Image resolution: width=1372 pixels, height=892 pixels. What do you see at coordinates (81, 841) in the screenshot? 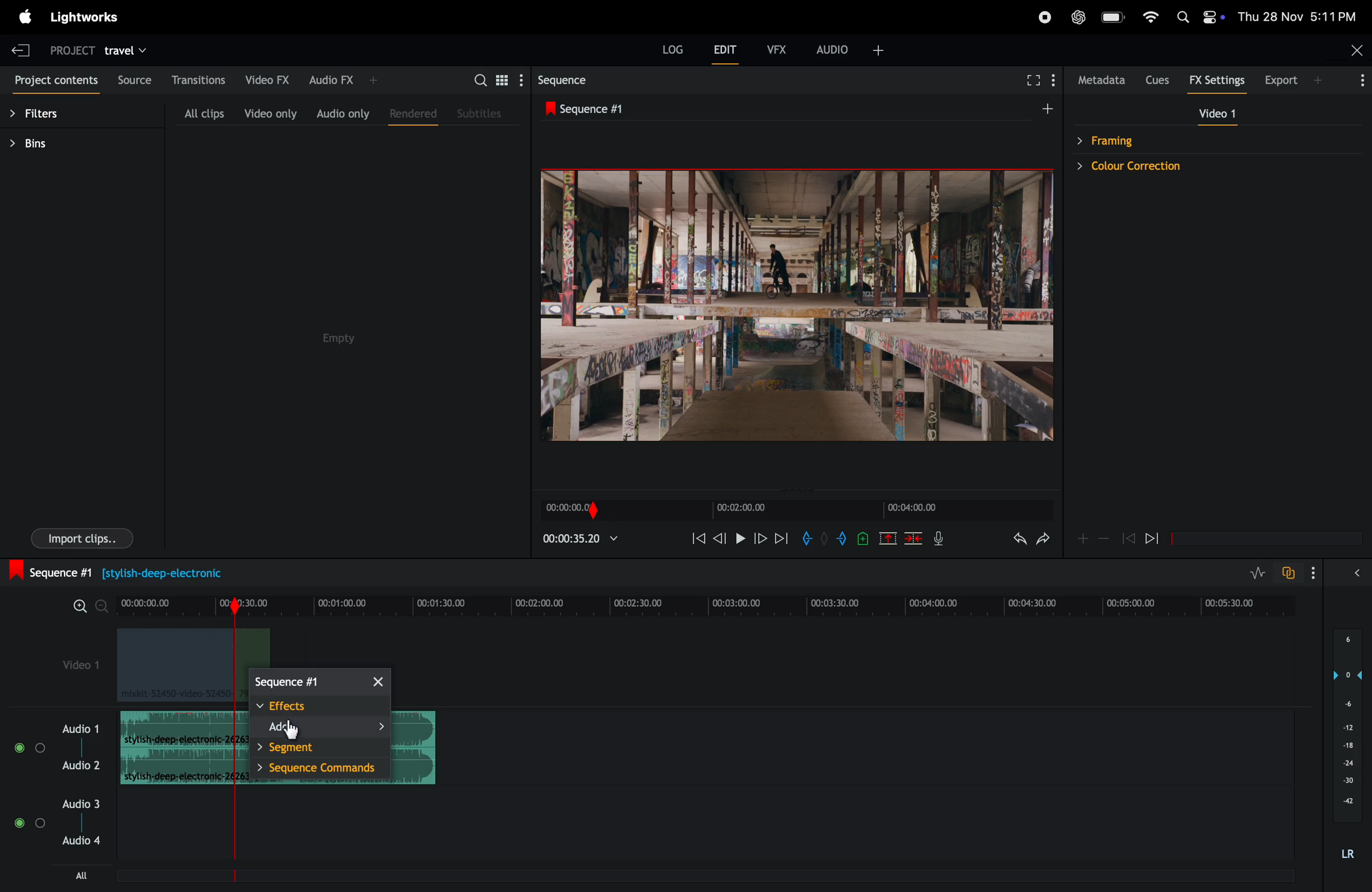
I see `Audio 4` at bounding box center [81, 841].